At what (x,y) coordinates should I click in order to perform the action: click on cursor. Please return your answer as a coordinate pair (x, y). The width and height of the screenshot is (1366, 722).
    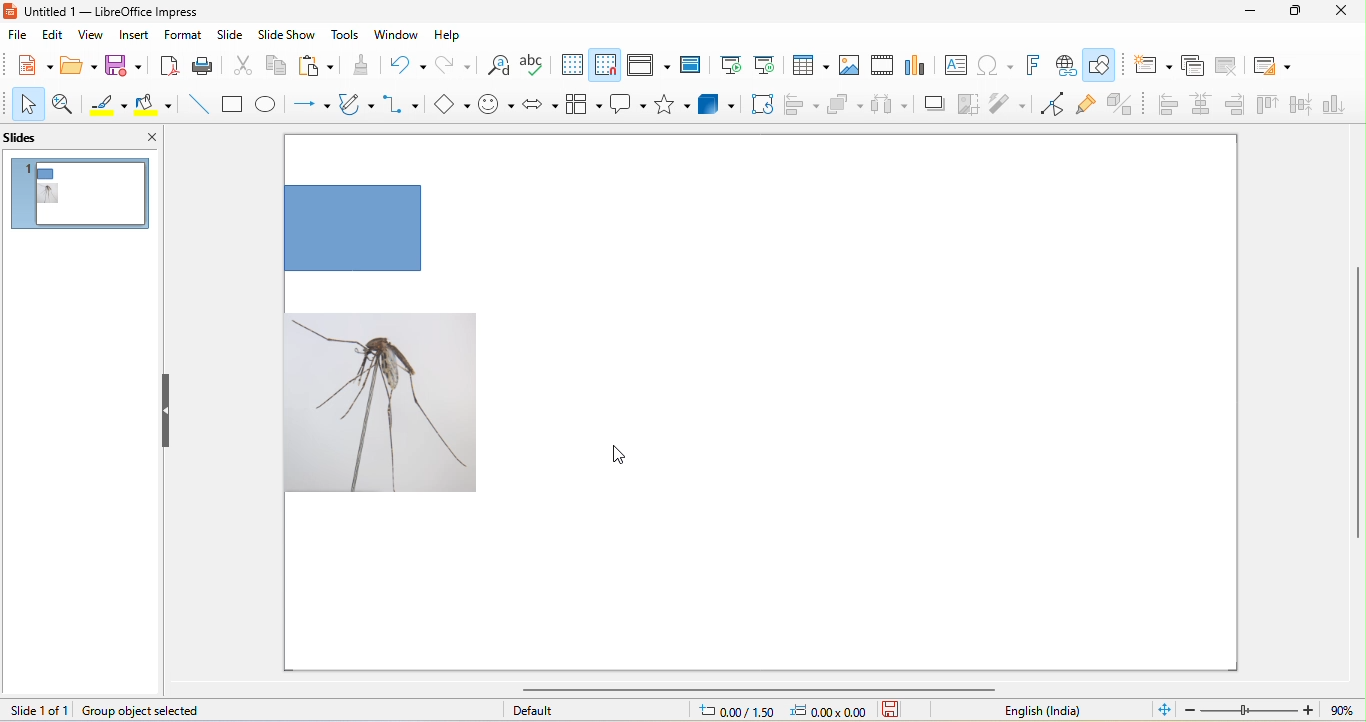
    Looking at the image, I should click on (616, 457).